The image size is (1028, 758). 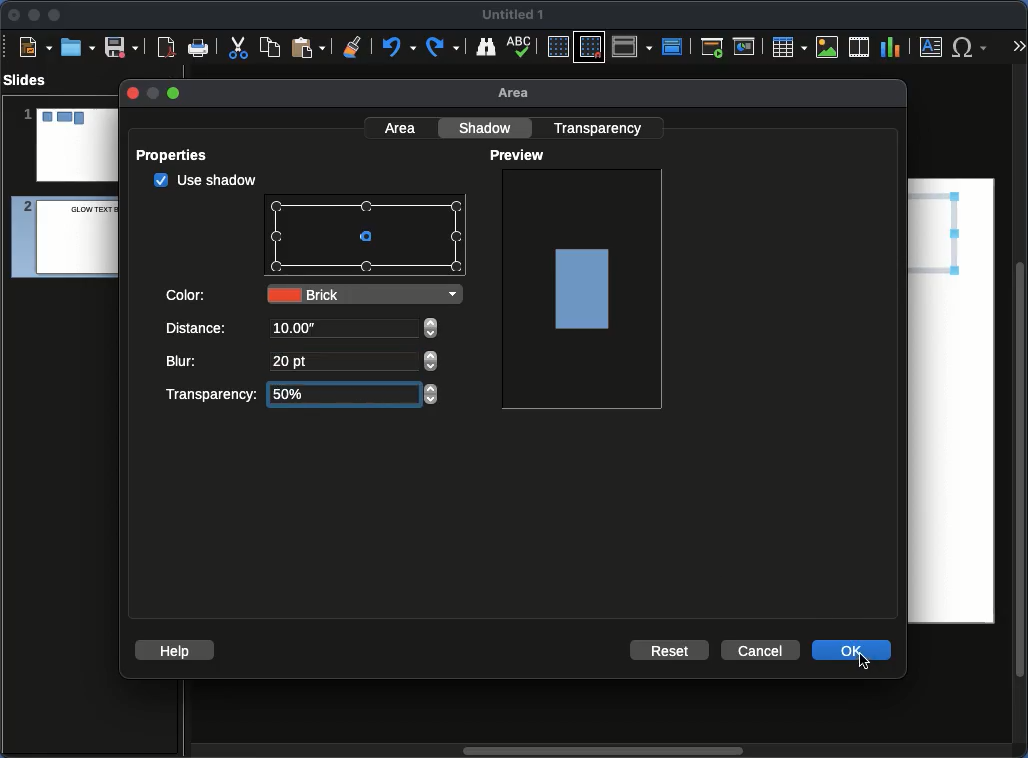 I want to click on cursor, so click(x=867, y=664).